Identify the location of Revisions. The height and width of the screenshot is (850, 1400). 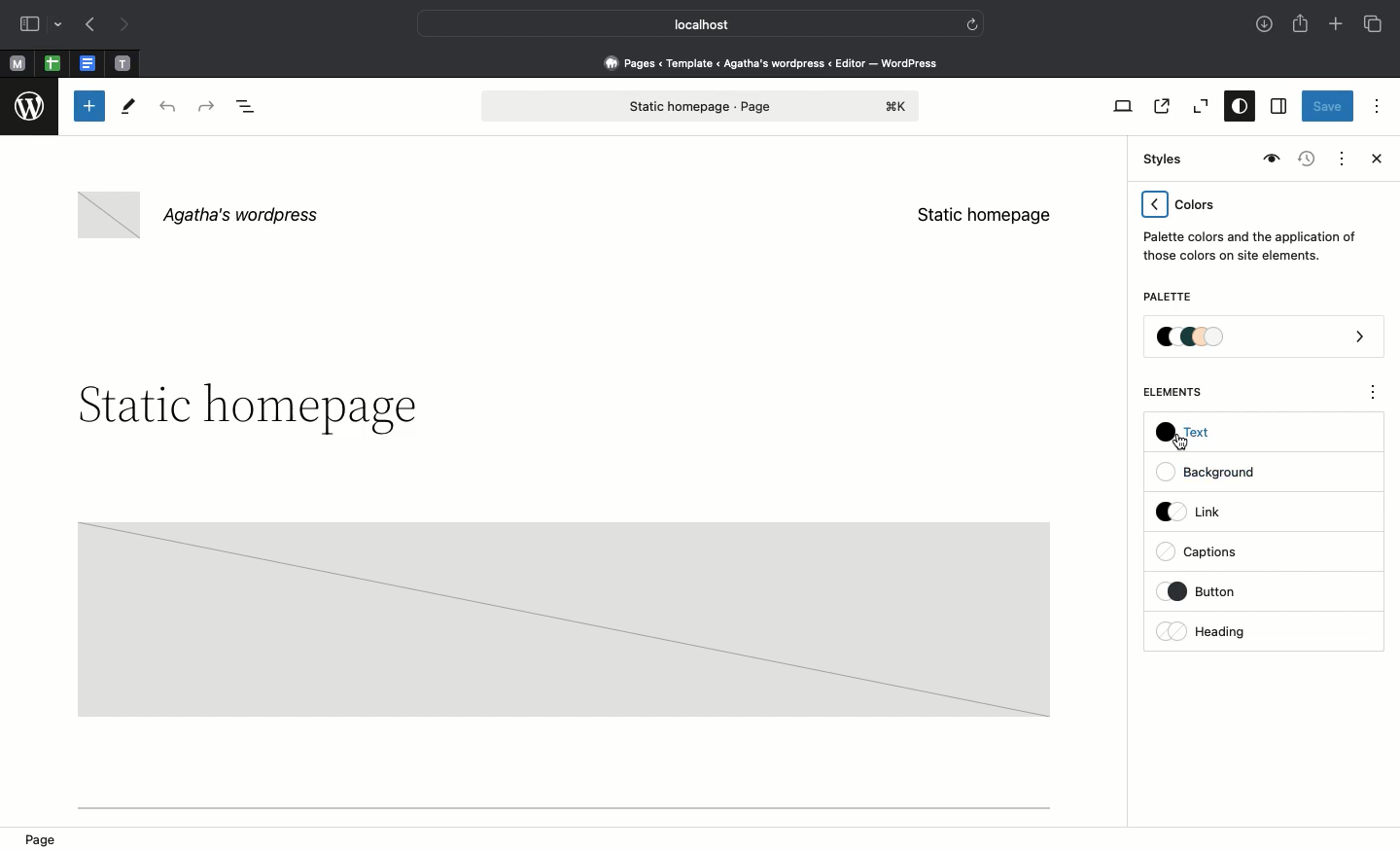
(1304, 160).